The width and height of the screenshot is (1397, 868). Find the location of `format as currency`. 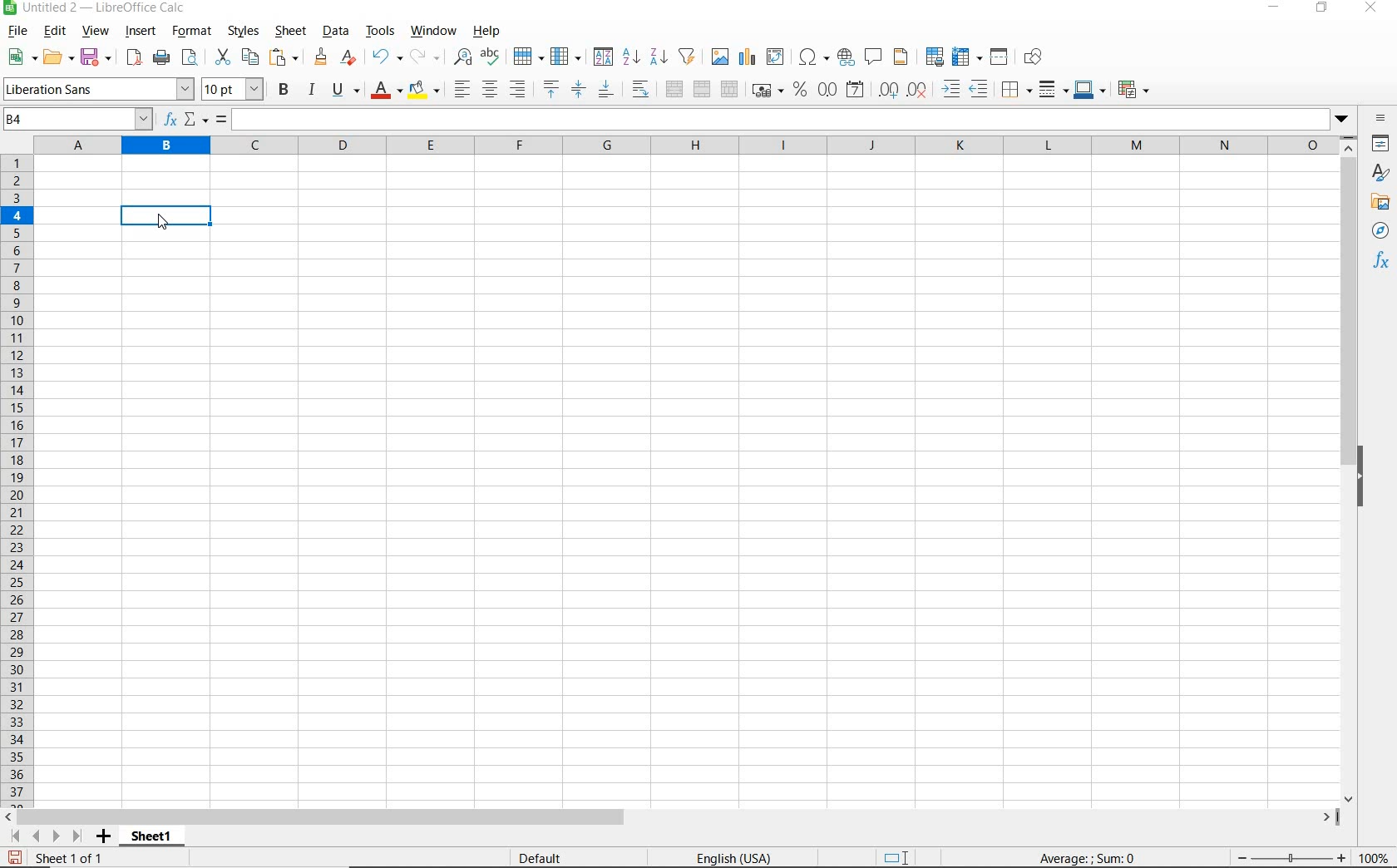

format as currency is located at coordinates (767, 90).